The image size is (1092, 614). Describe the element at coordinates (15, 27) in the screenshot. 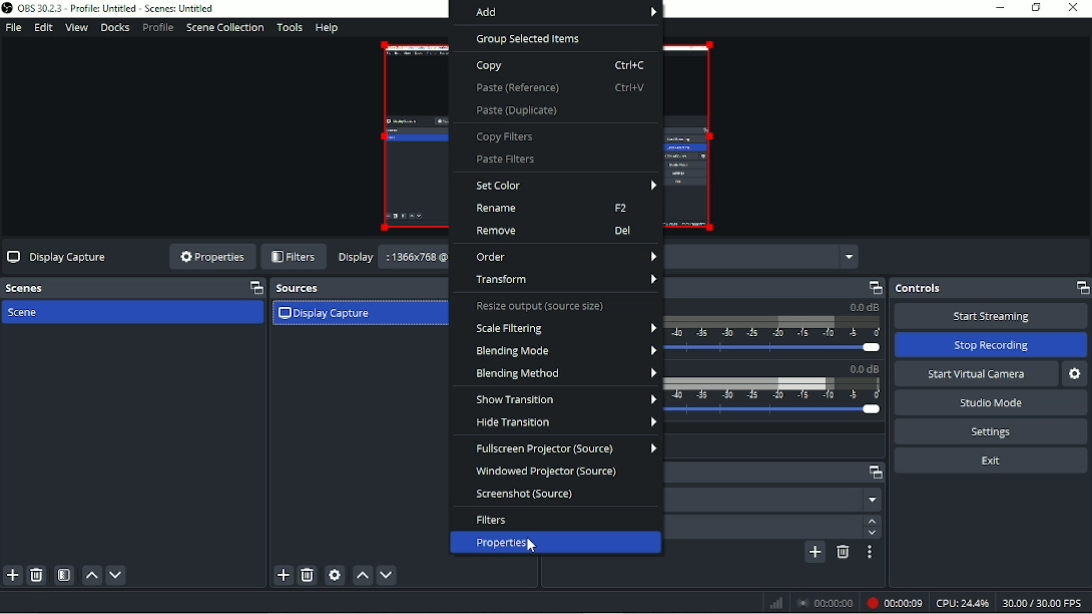

I see `File` at that location.